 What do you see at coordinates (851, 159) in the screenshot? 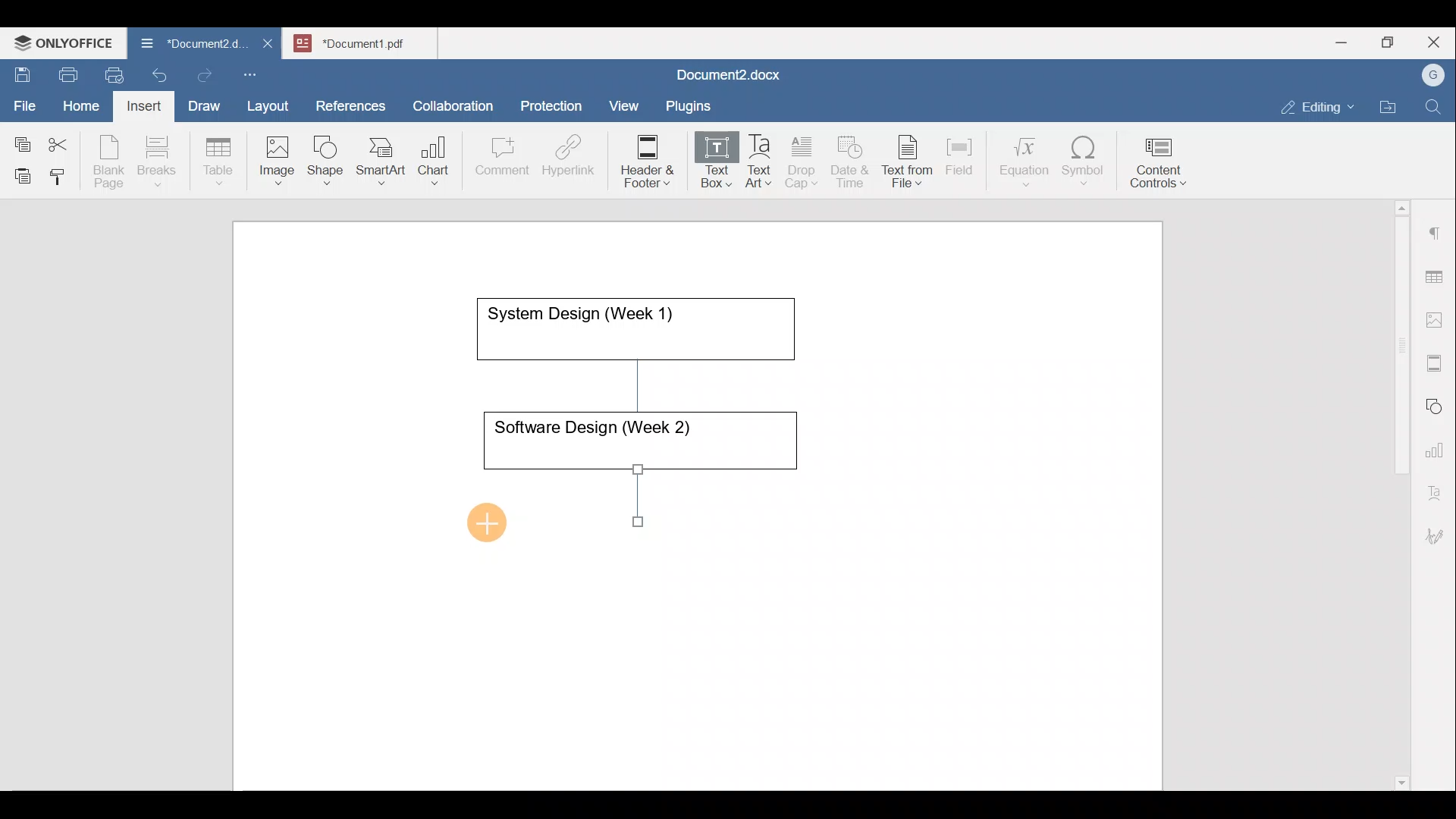
I see `Date & time` at bounding box center [851, 159].